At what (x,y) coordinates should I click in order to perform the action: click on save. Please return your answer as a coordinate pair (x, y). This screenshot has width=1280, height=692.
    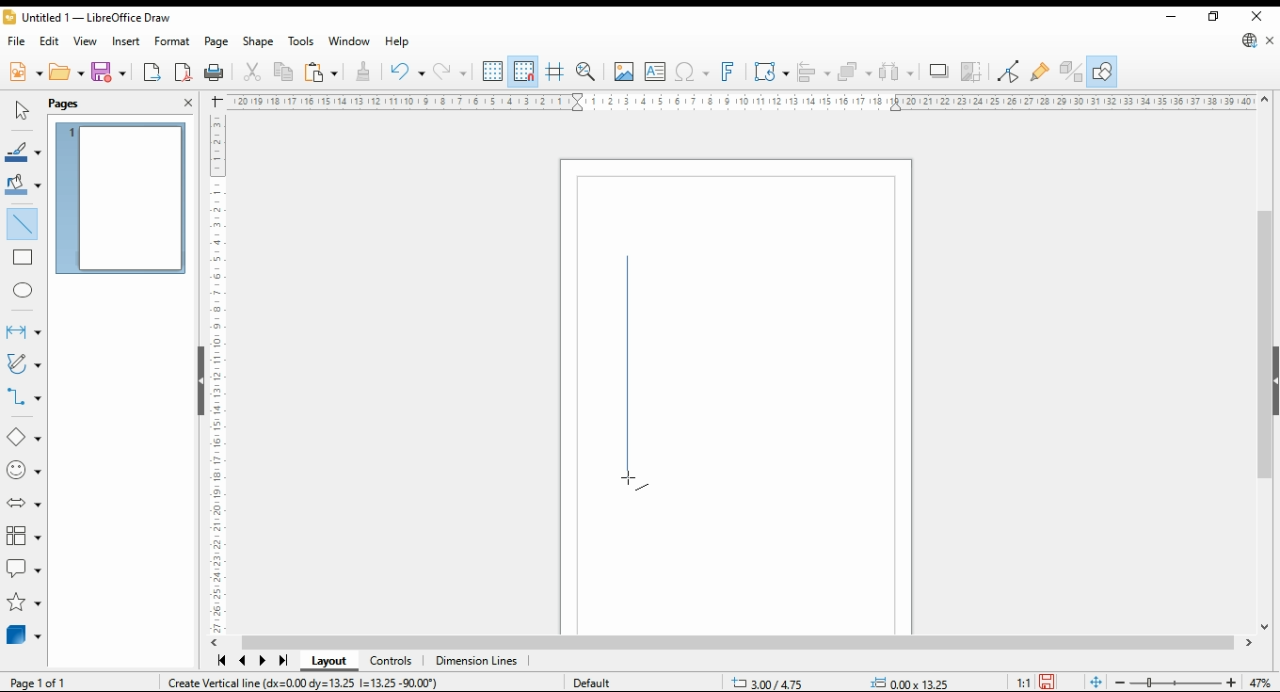
    Looking at the image, I should click on (109, 71).